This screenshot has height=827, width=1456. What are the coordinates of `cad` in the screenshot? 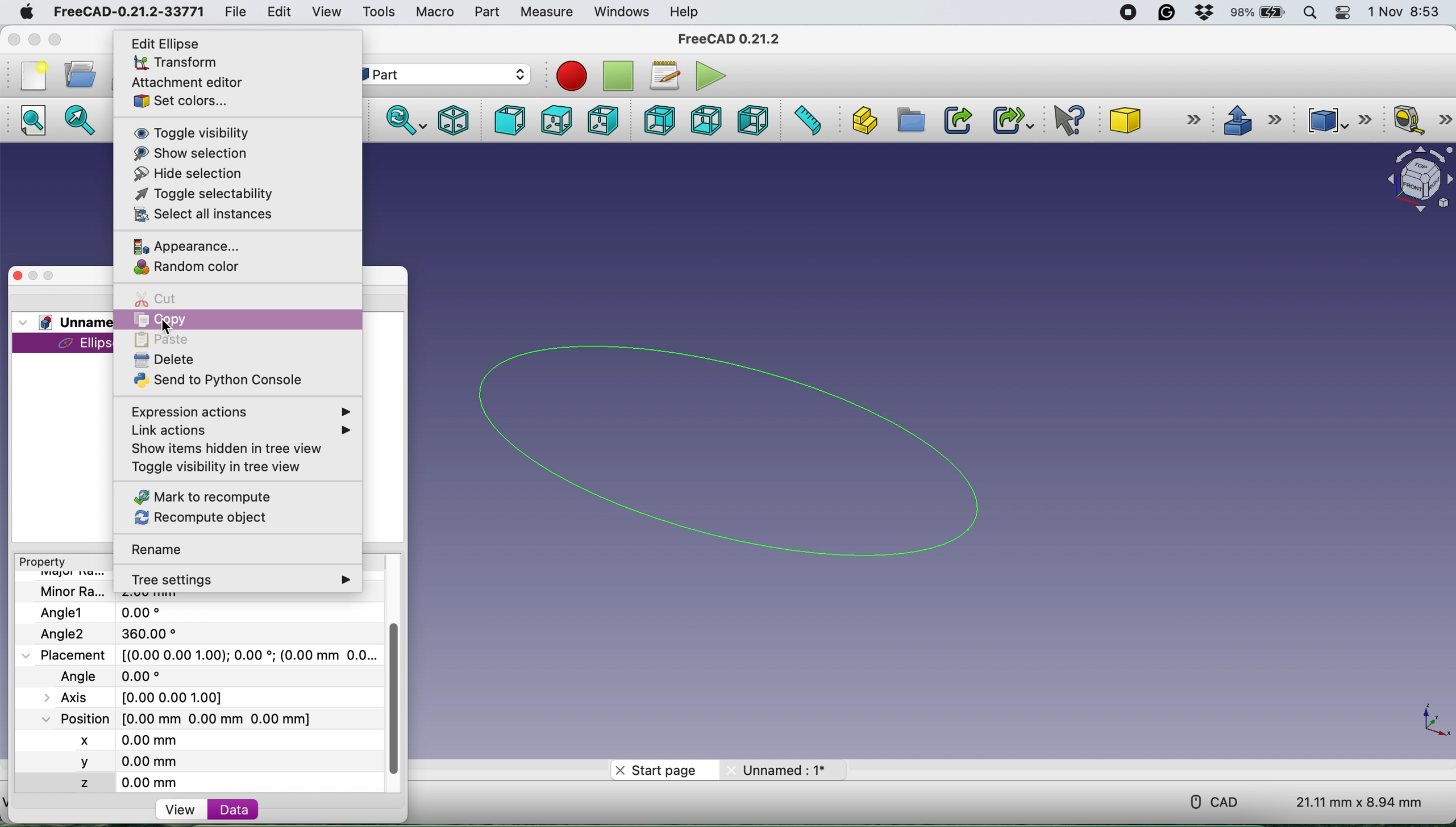 It's located at (1217, 800).